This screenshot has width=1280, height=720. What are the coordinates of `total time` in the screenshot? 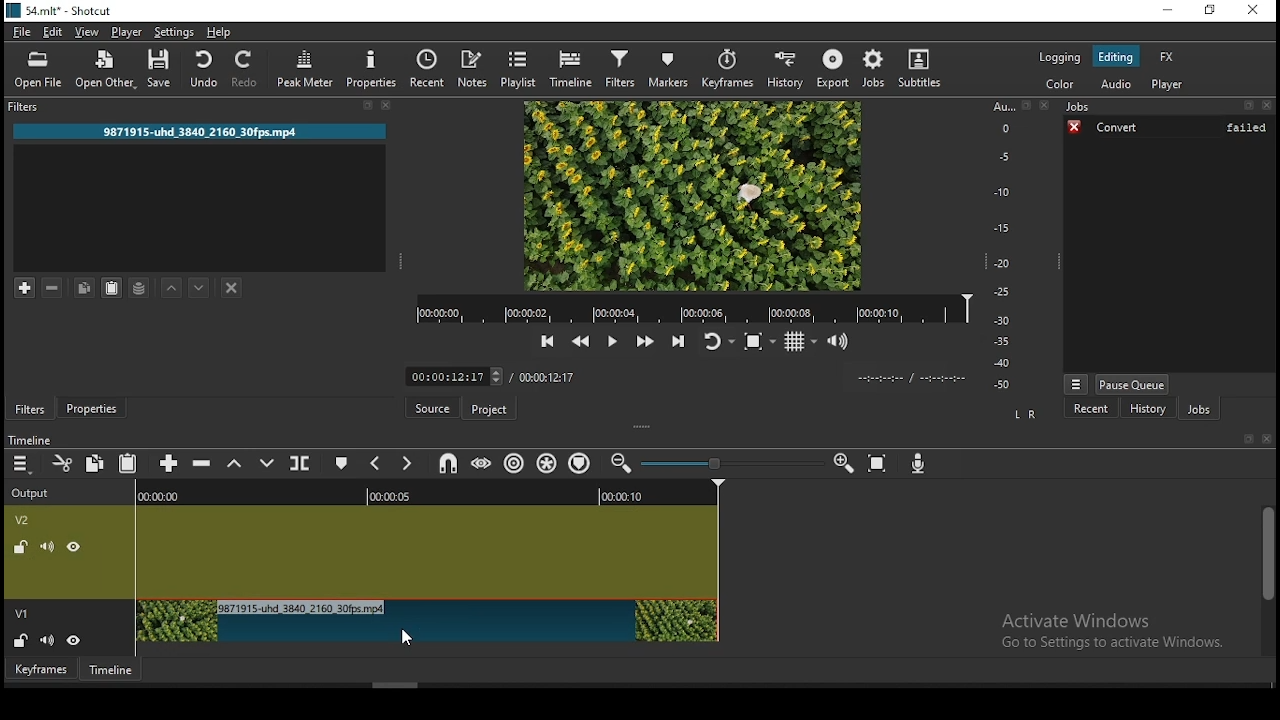 It's located at (547, 380).